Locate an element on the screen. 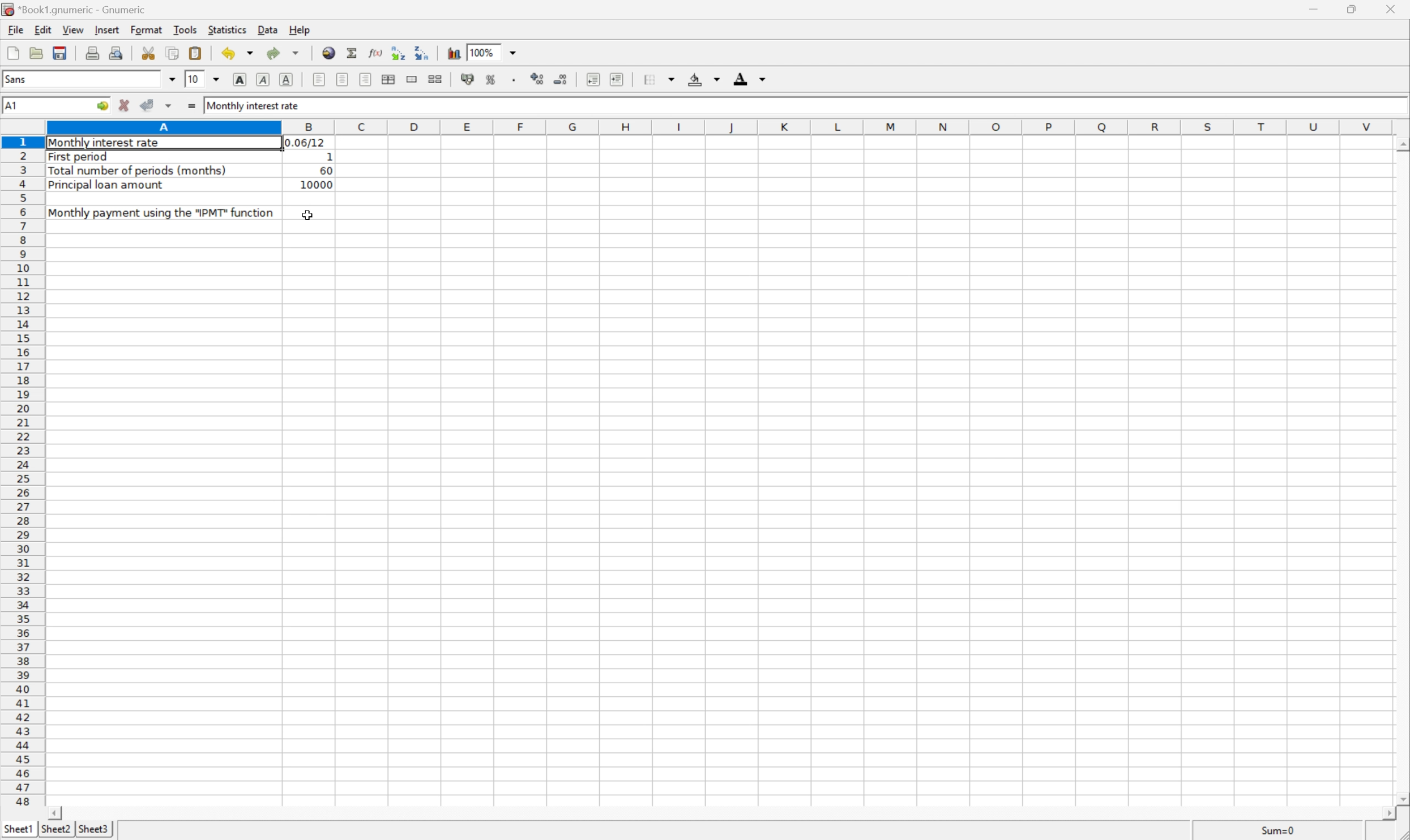 The height and width of the screenshot is (840, 1410). Center horizontally is located at coordinates (343, 79).